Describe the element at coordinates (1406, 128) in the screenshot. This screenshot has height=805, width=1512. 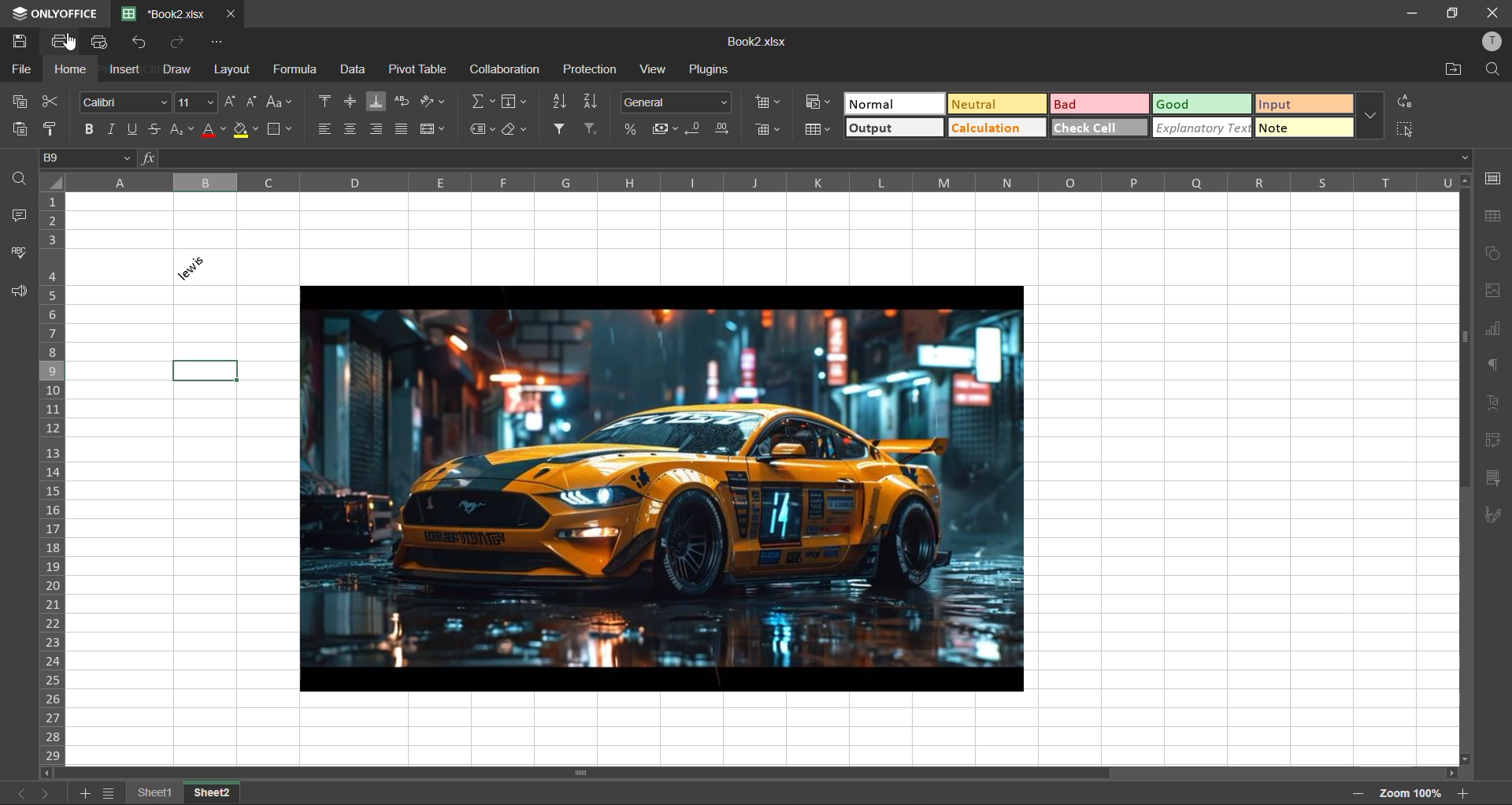
I see `select cells` at that location.